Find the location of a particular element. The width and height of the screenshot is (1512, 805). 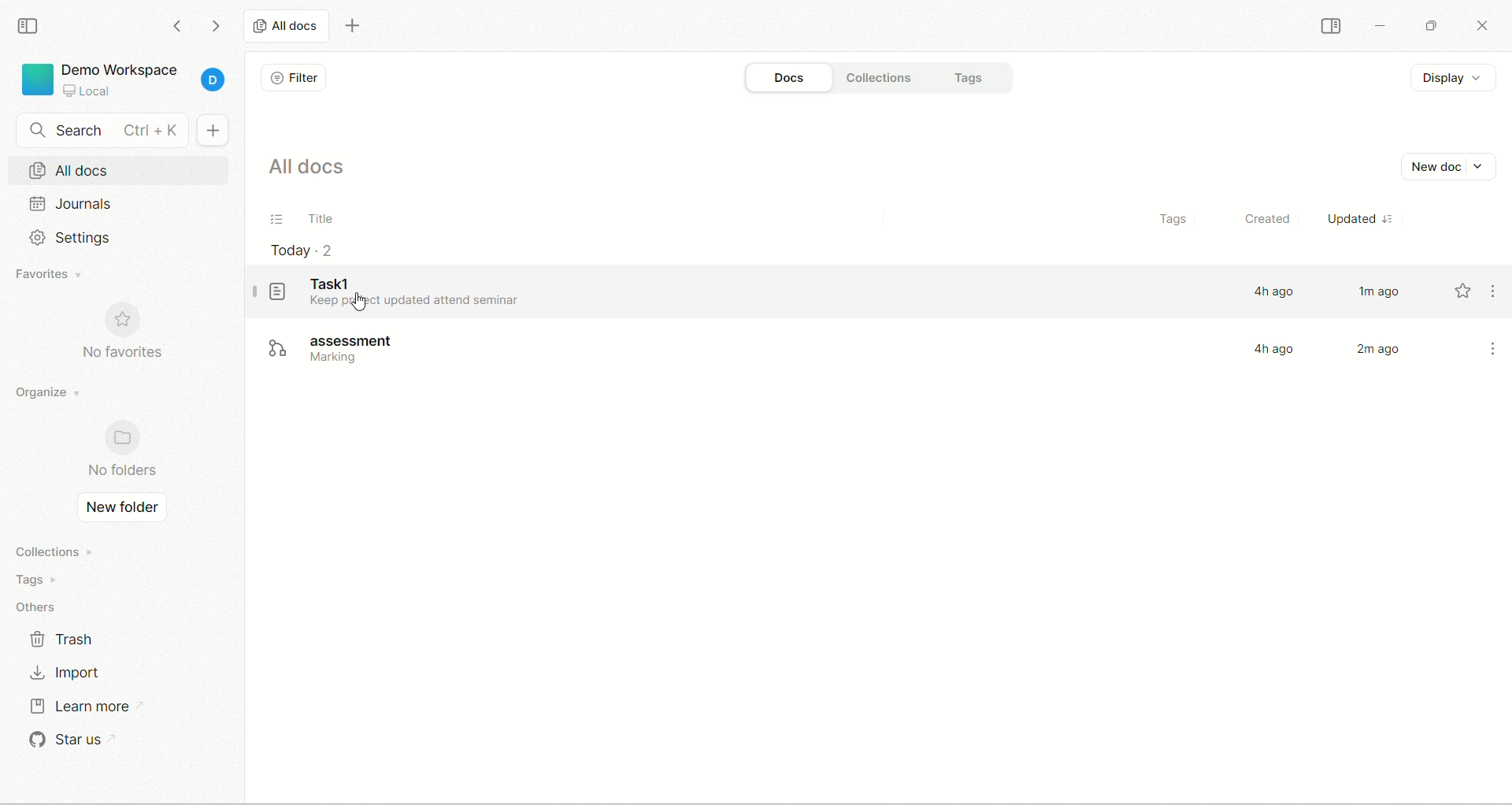

no favorites is located at coordinates (135, 335).